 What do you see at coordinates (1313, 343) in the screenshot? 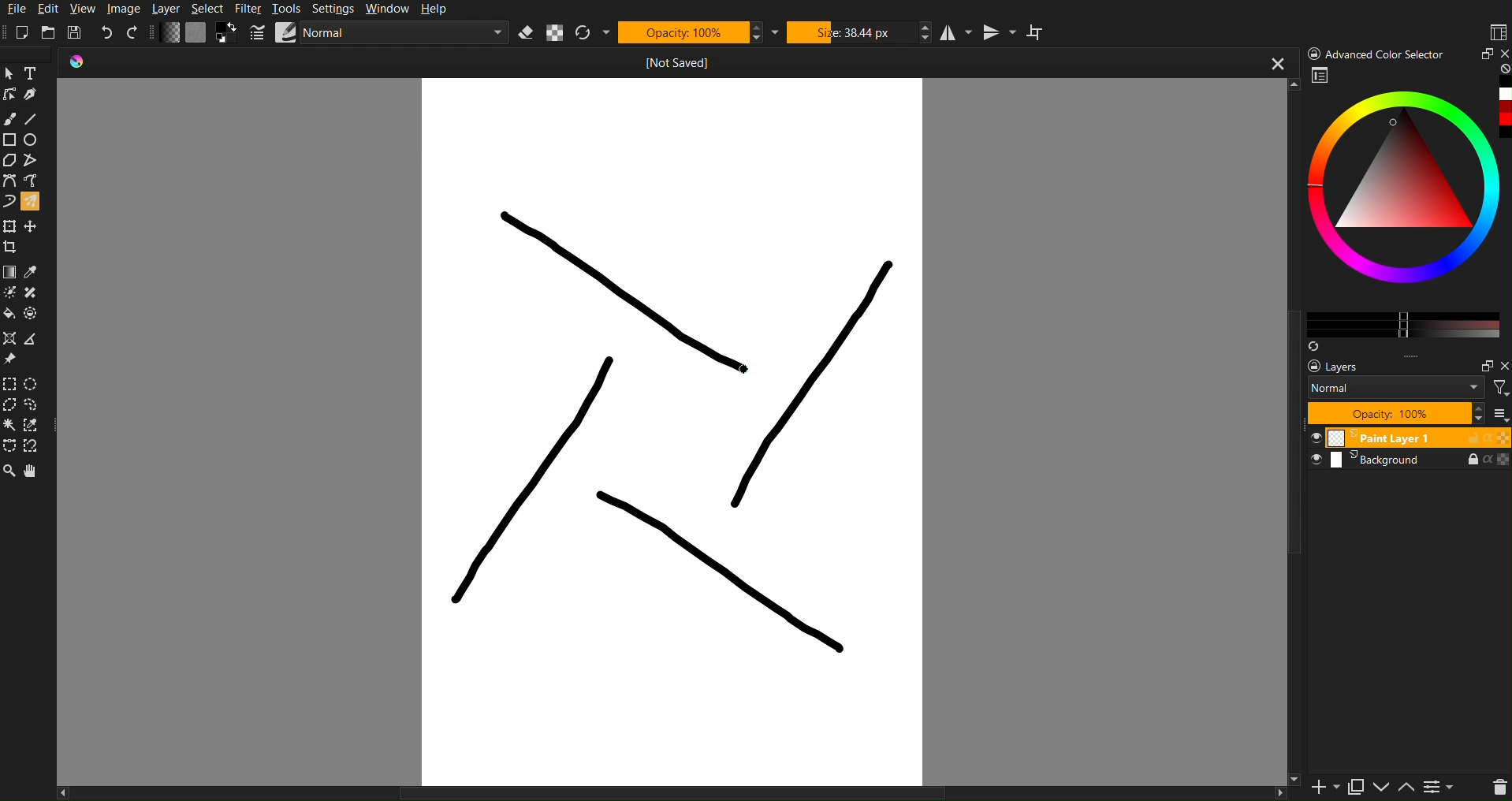
I see `sync` at bounding box center [1313, 343].